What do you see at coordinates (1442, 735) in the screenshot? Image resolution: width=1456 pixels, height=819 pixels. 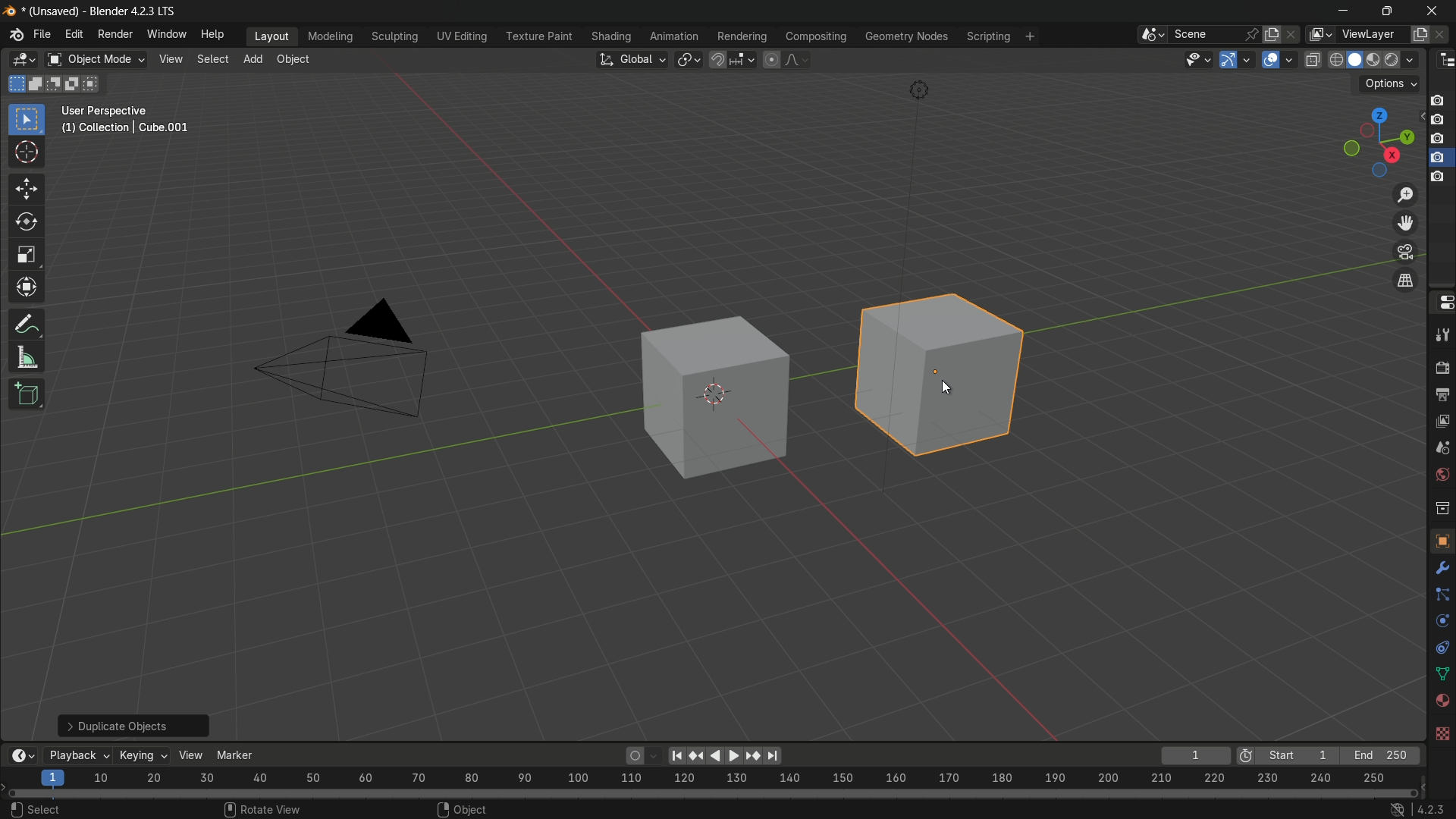 I see `texture` at bounding box center [1442, 735].